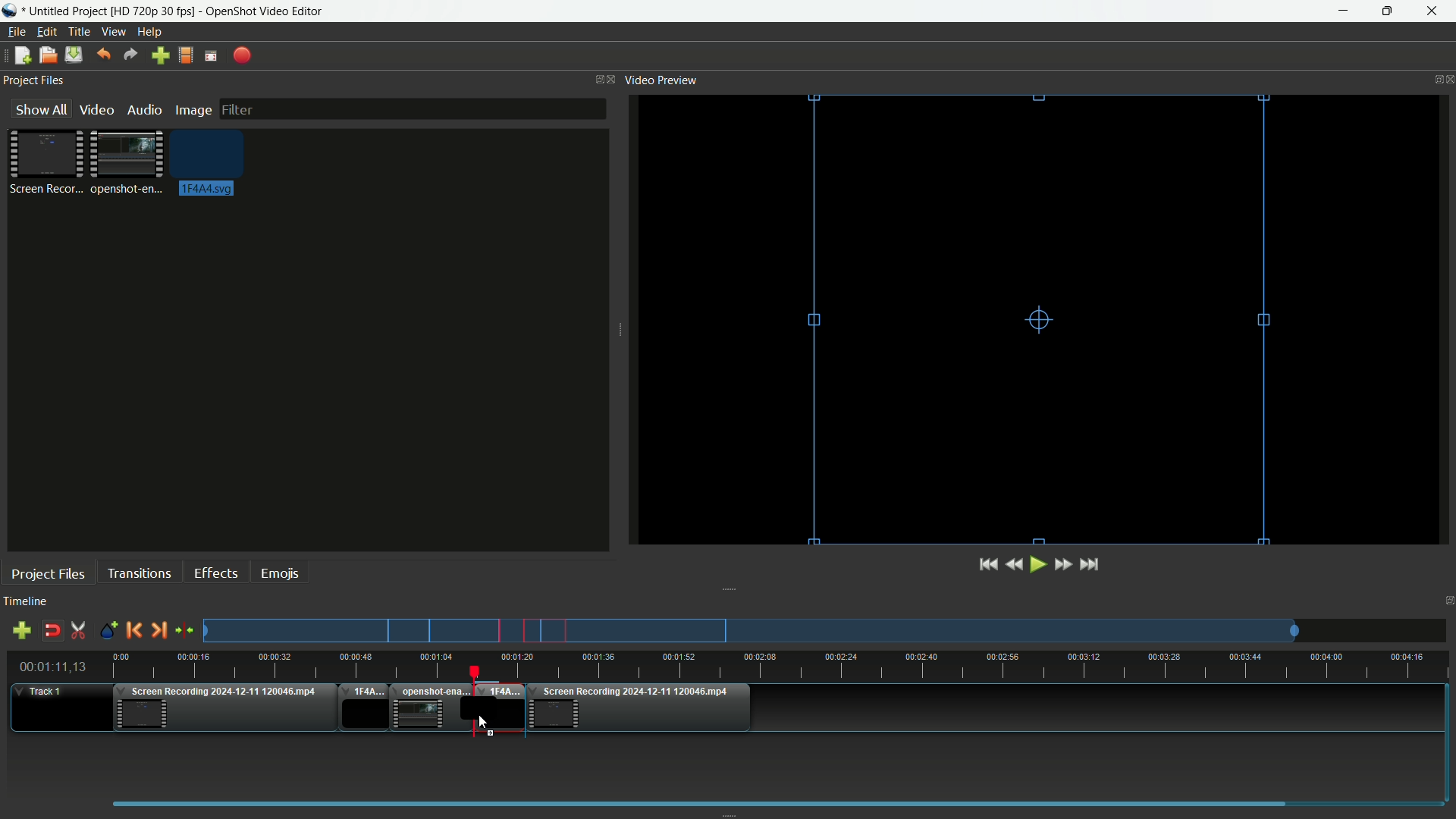  I want to click on Open file, so click(47, 57).